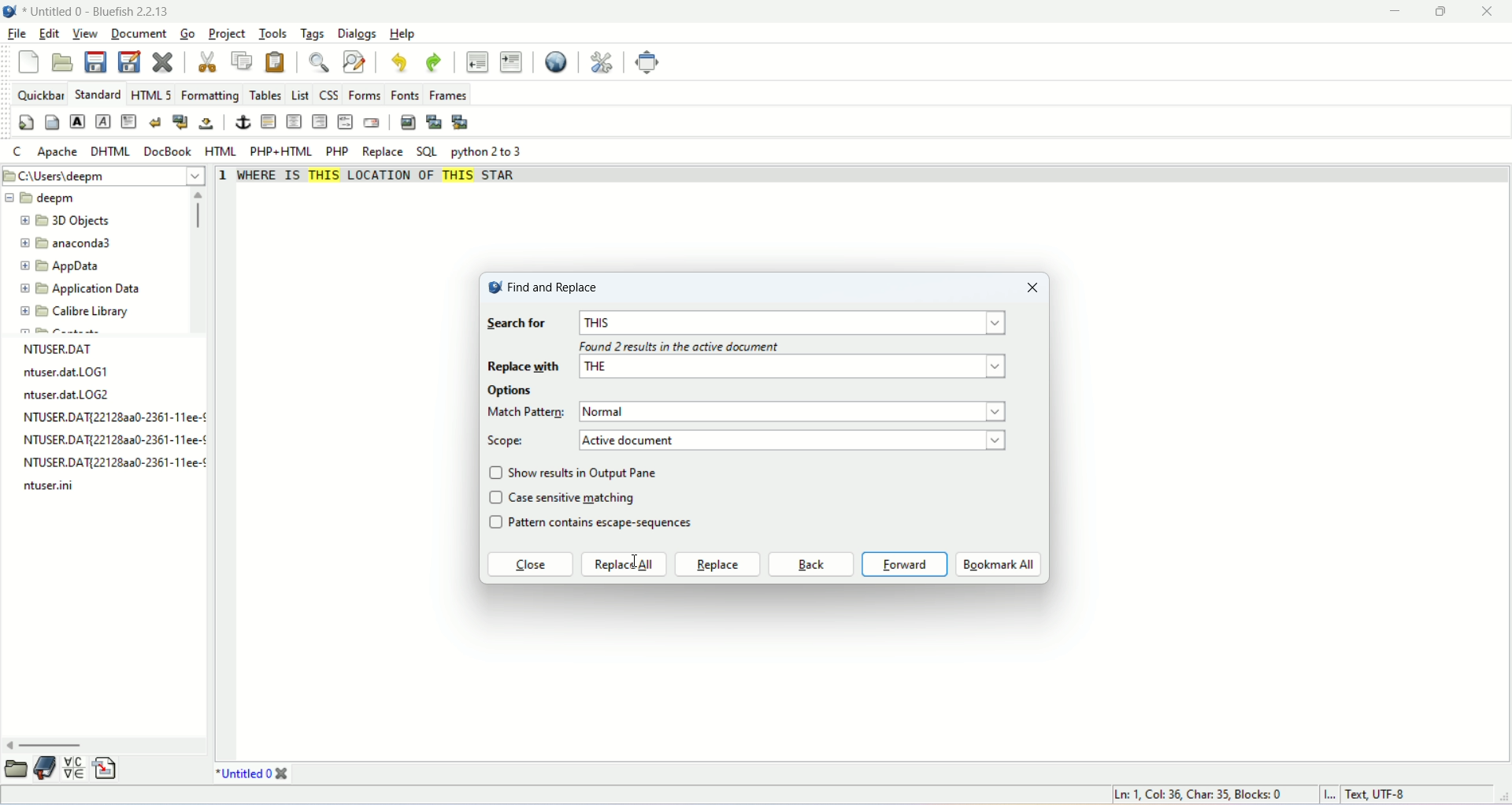 The height and width of the screenshot is (805, 1512). I want to click on insert thumbnail, so click(435, 124).